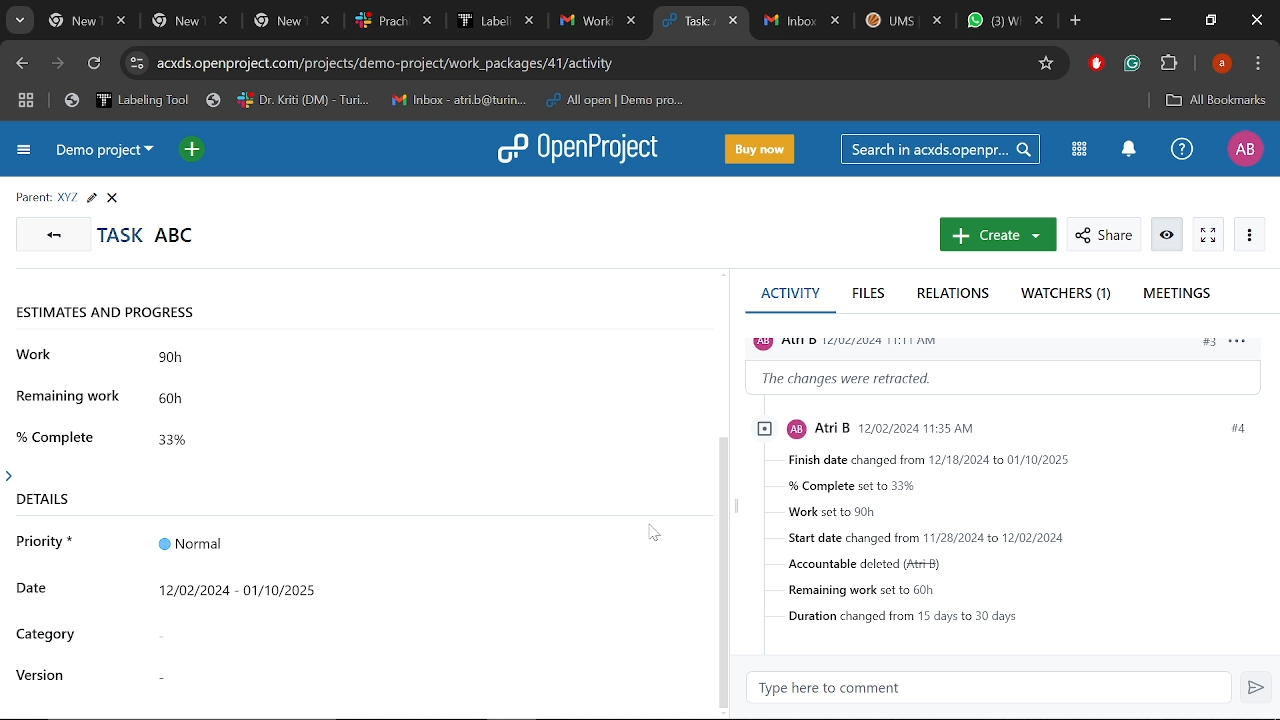  What do you see at coordinates (43, 675) in the screenshot?
I see `version` at bounding box center [43, 675].